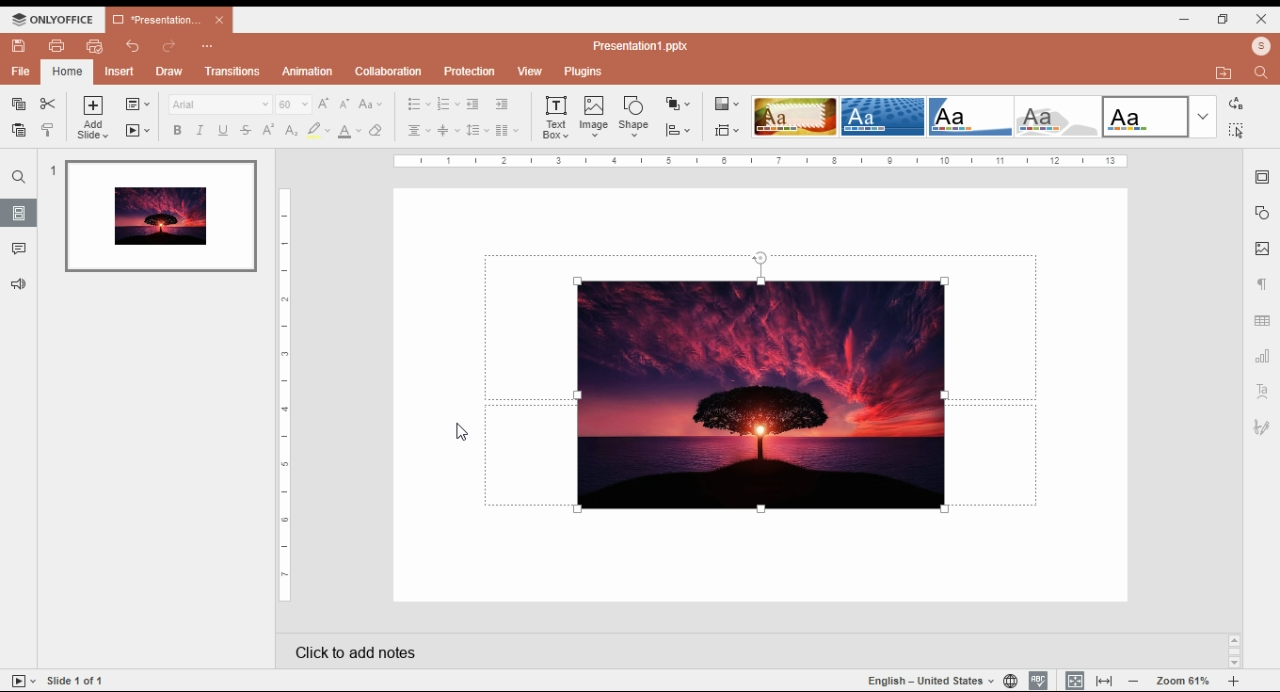  What do you see at coordinates (634, 116) in the screenshot?
I see `insert shape` at bounding box center [634, 116].